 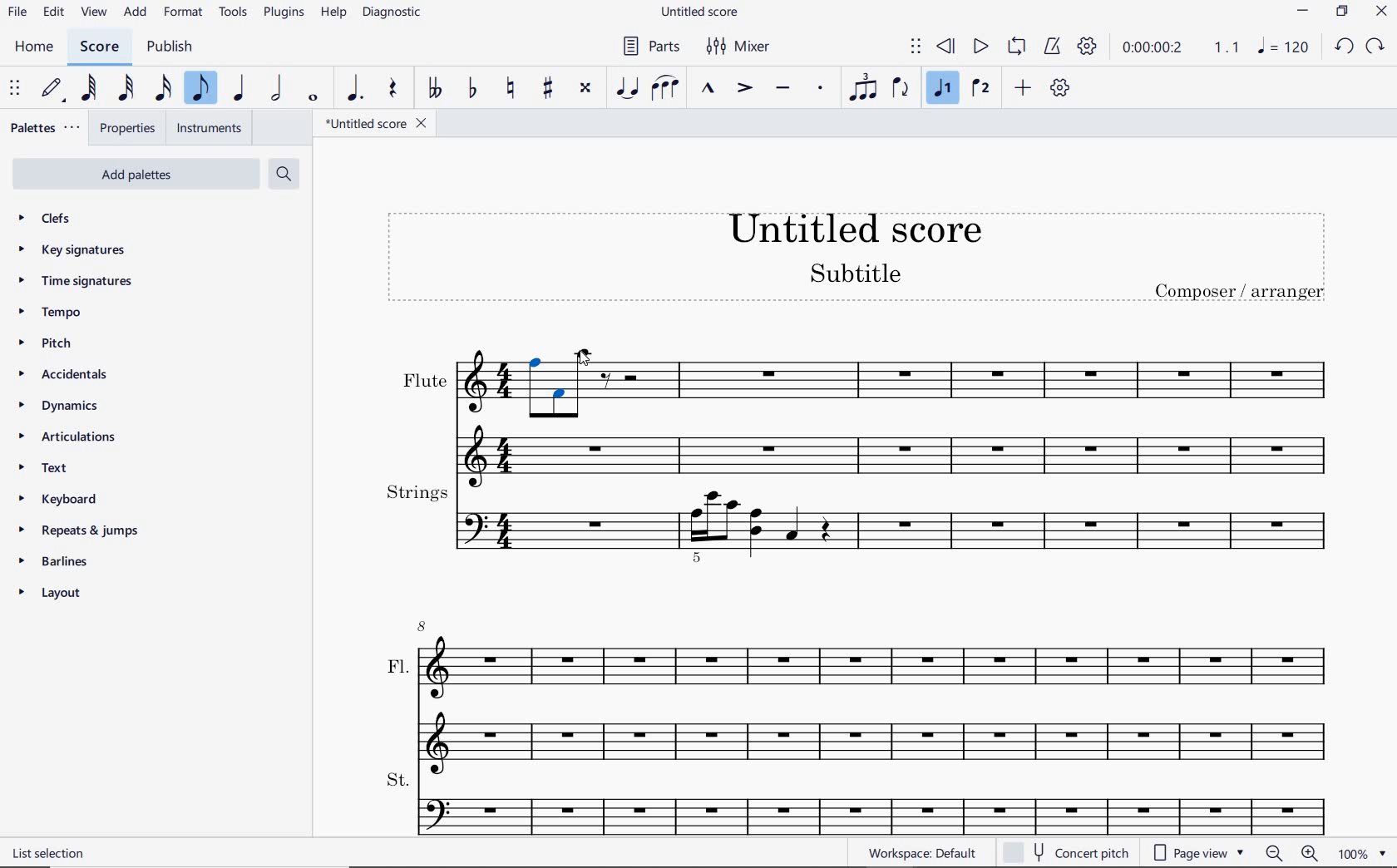 I want to click on EIGHTH NOTE, so click(x=201, y=89).